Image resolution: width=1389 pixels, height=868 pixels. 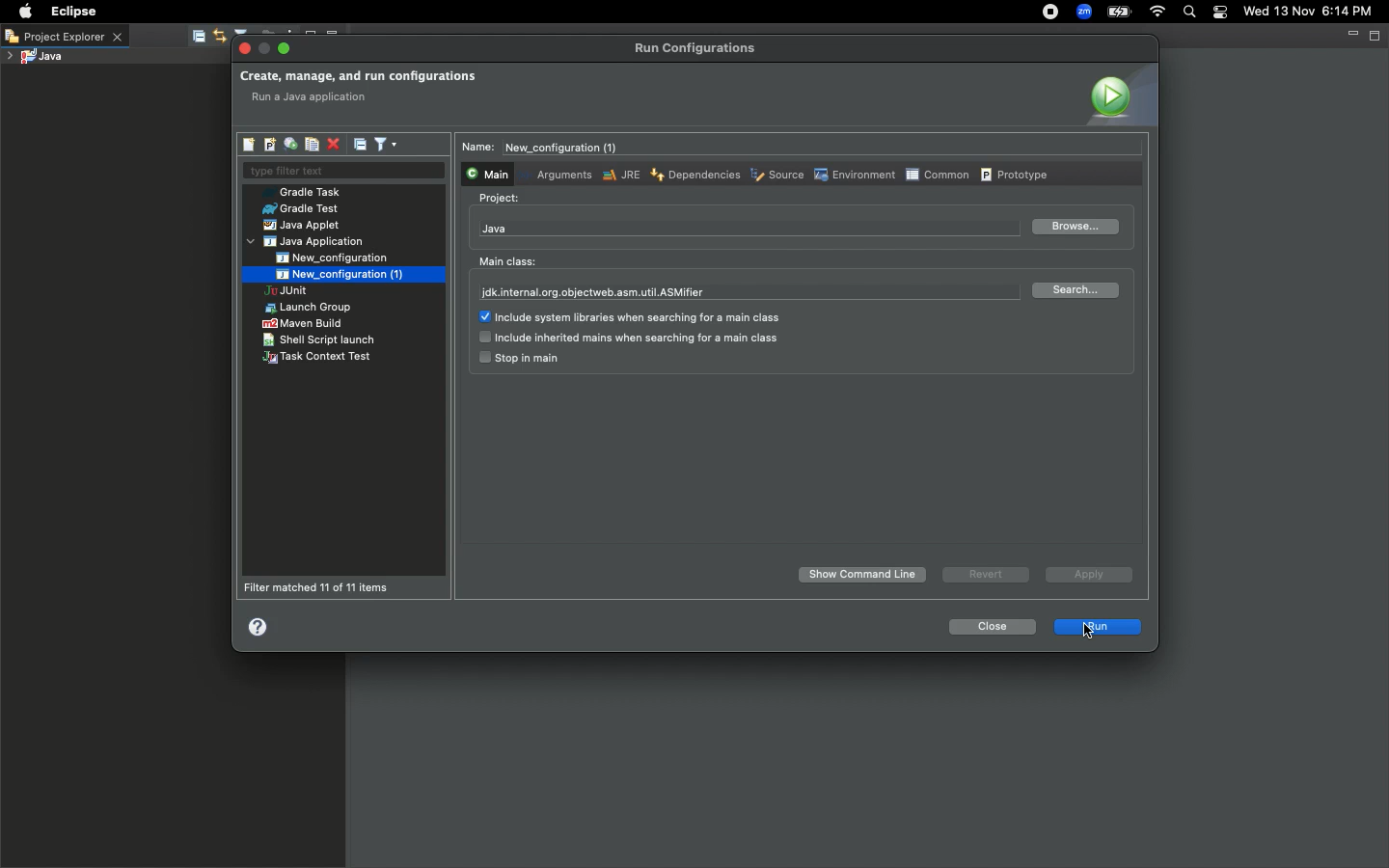 What do you see at coordinates (250, 32) in the screenshot?
I see `icons` at bounding box center [250, 32].